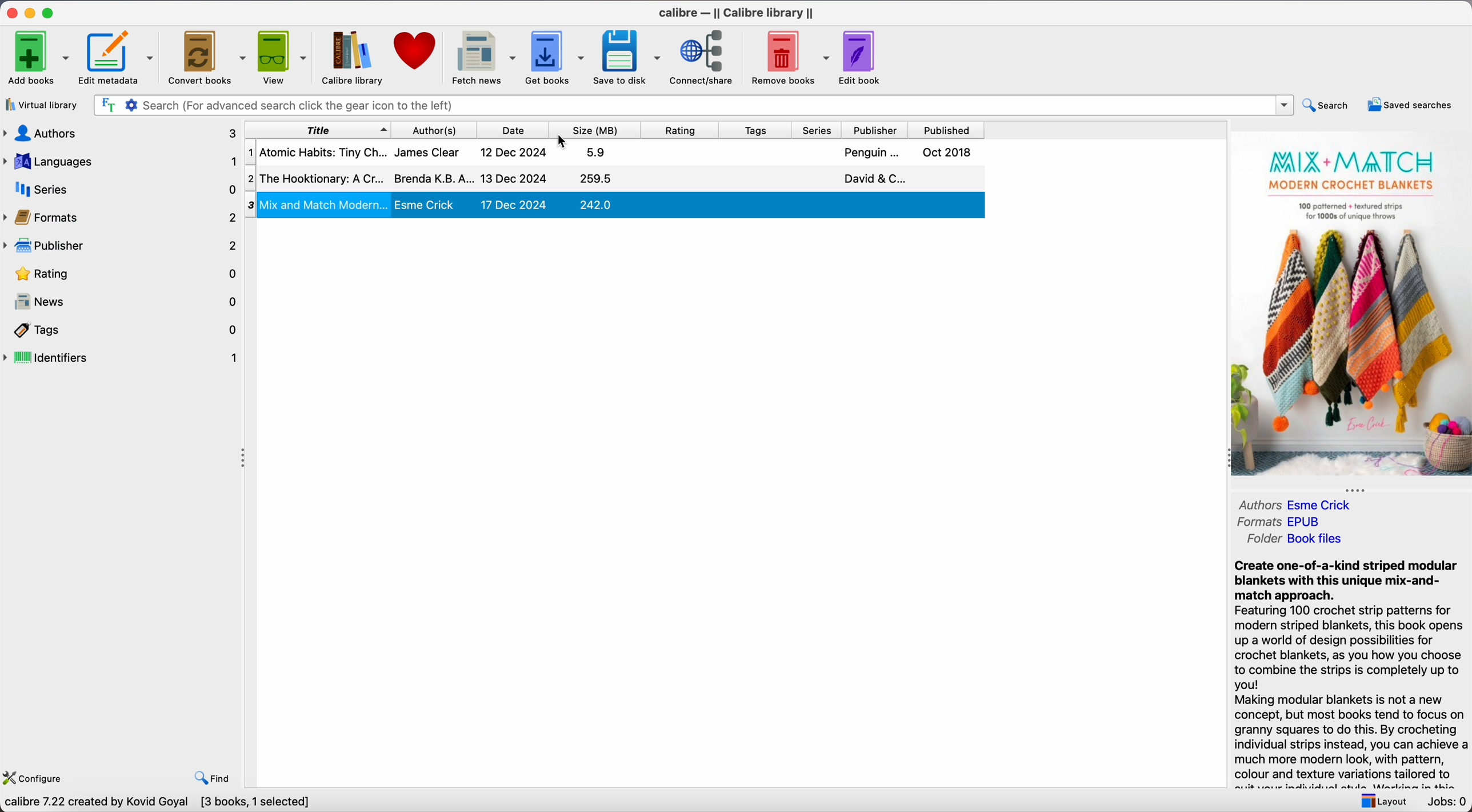 The height and width of the screenshot is (812, 1472). Describe the element at coordinates (615, 178) in the screenshot. I see `The Hooktionary` at that location.